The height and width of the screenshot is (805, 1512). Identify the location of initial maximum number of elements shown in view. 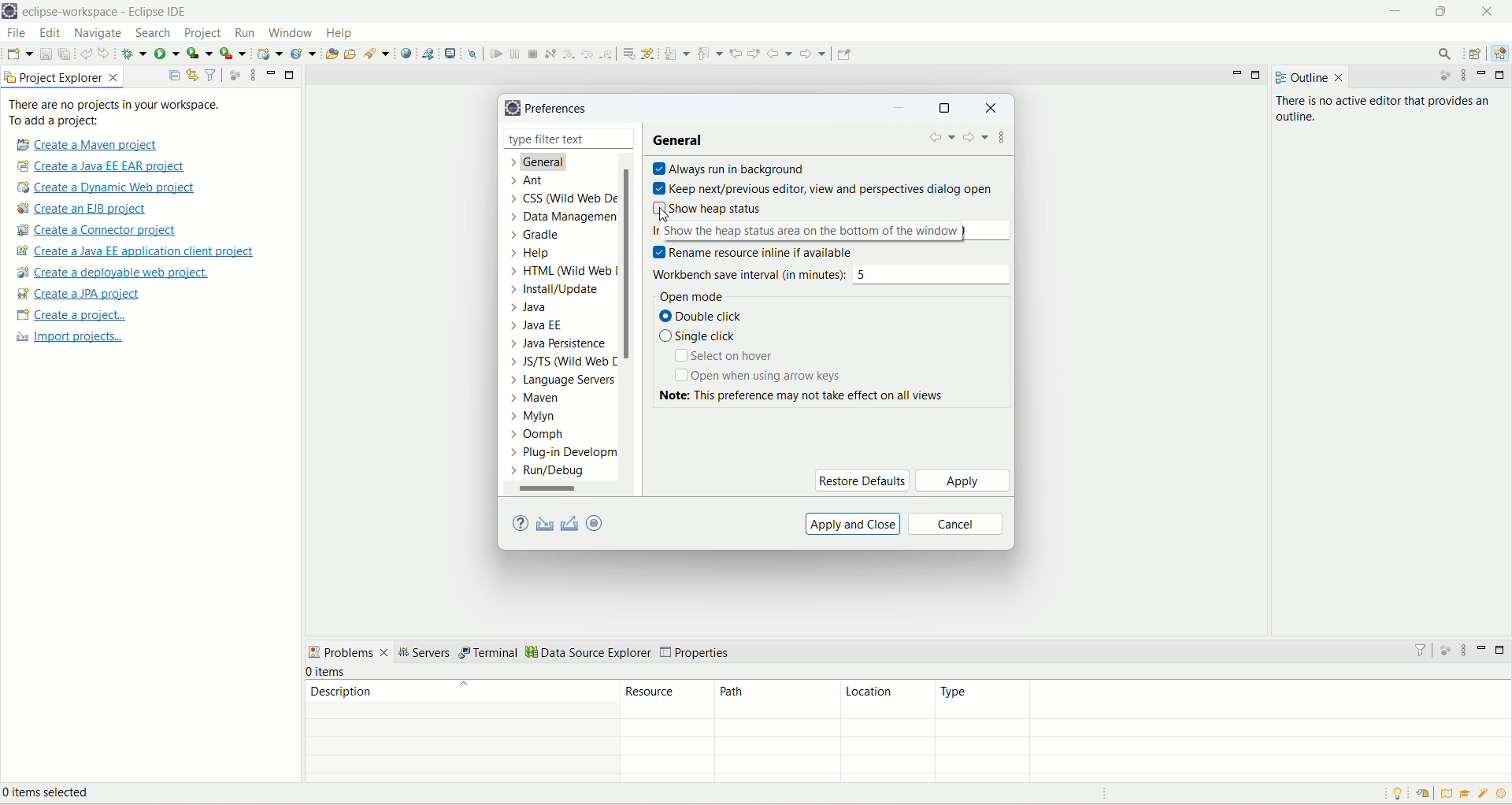
(833, 229).